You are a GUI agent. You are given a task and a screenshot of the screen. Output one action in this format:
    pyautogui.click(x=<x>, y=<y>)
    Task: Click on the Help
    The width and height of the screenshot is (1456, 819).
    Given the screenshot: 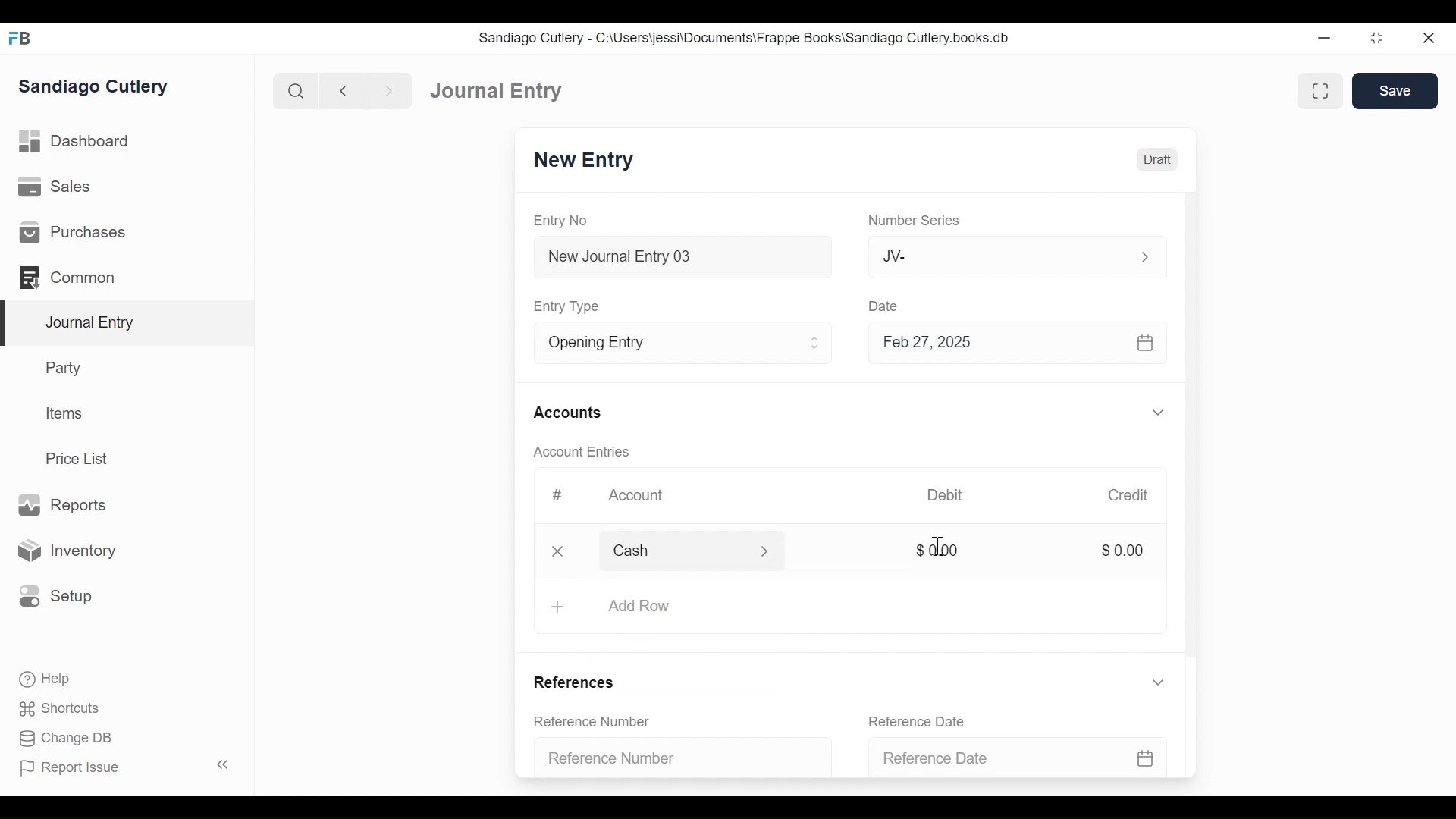 What is the action you would take?
    pyautogui.click(x=46, y=679)
    